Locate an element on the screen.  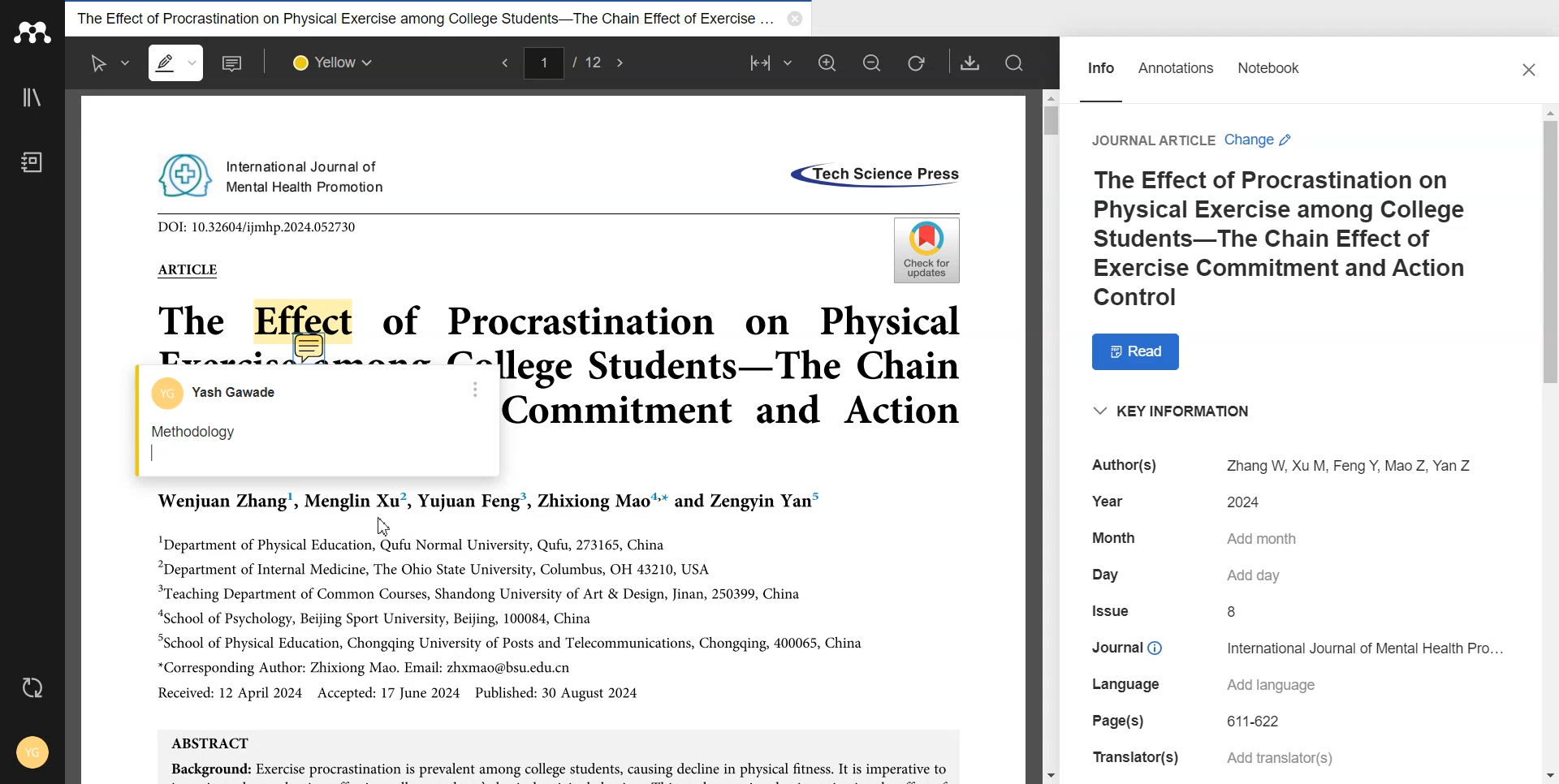
Add note is located at coordinates (235, 63).